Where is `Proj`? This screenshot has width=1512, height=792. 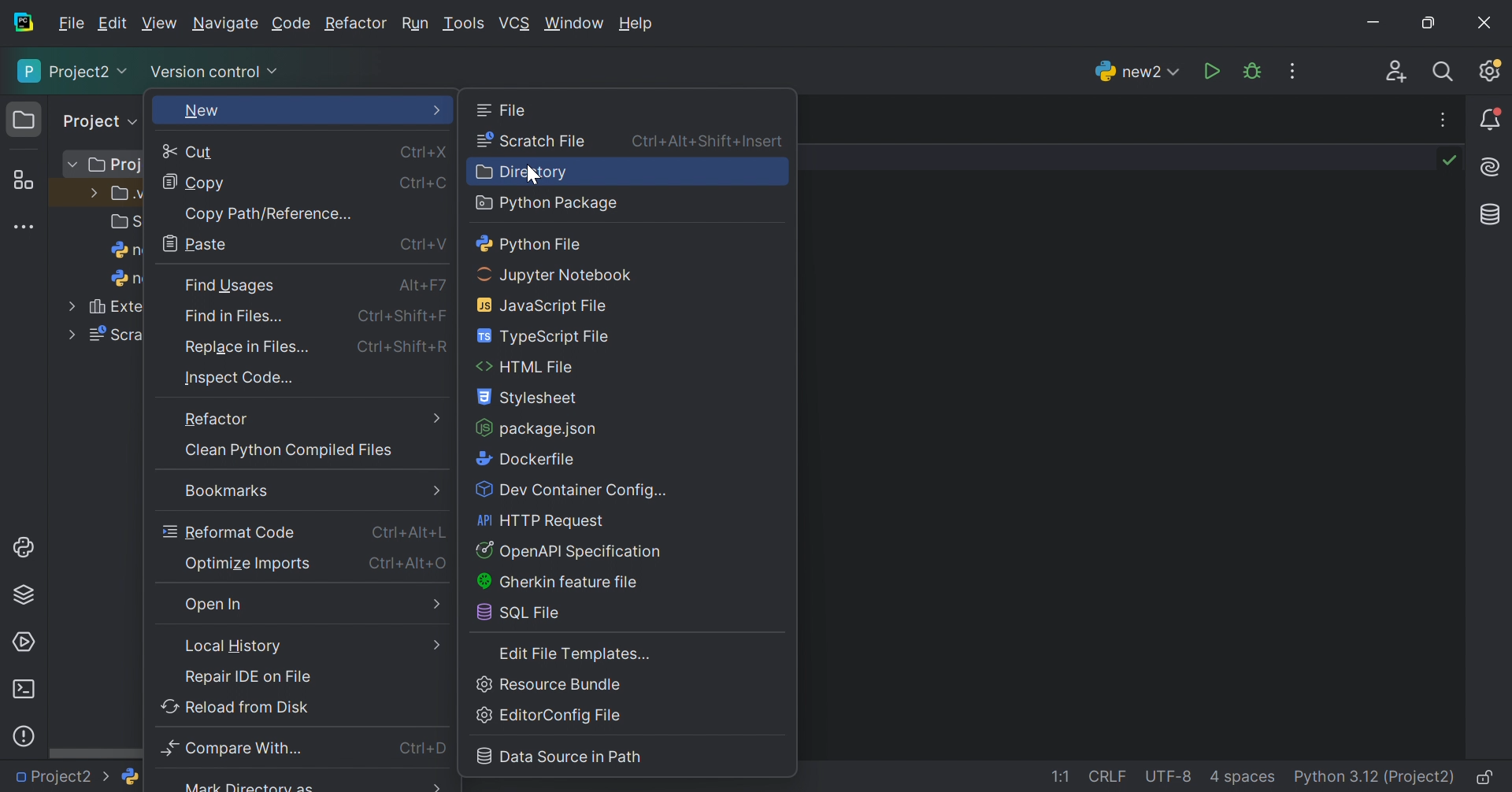 Proj is located at coordinates (118, 165).